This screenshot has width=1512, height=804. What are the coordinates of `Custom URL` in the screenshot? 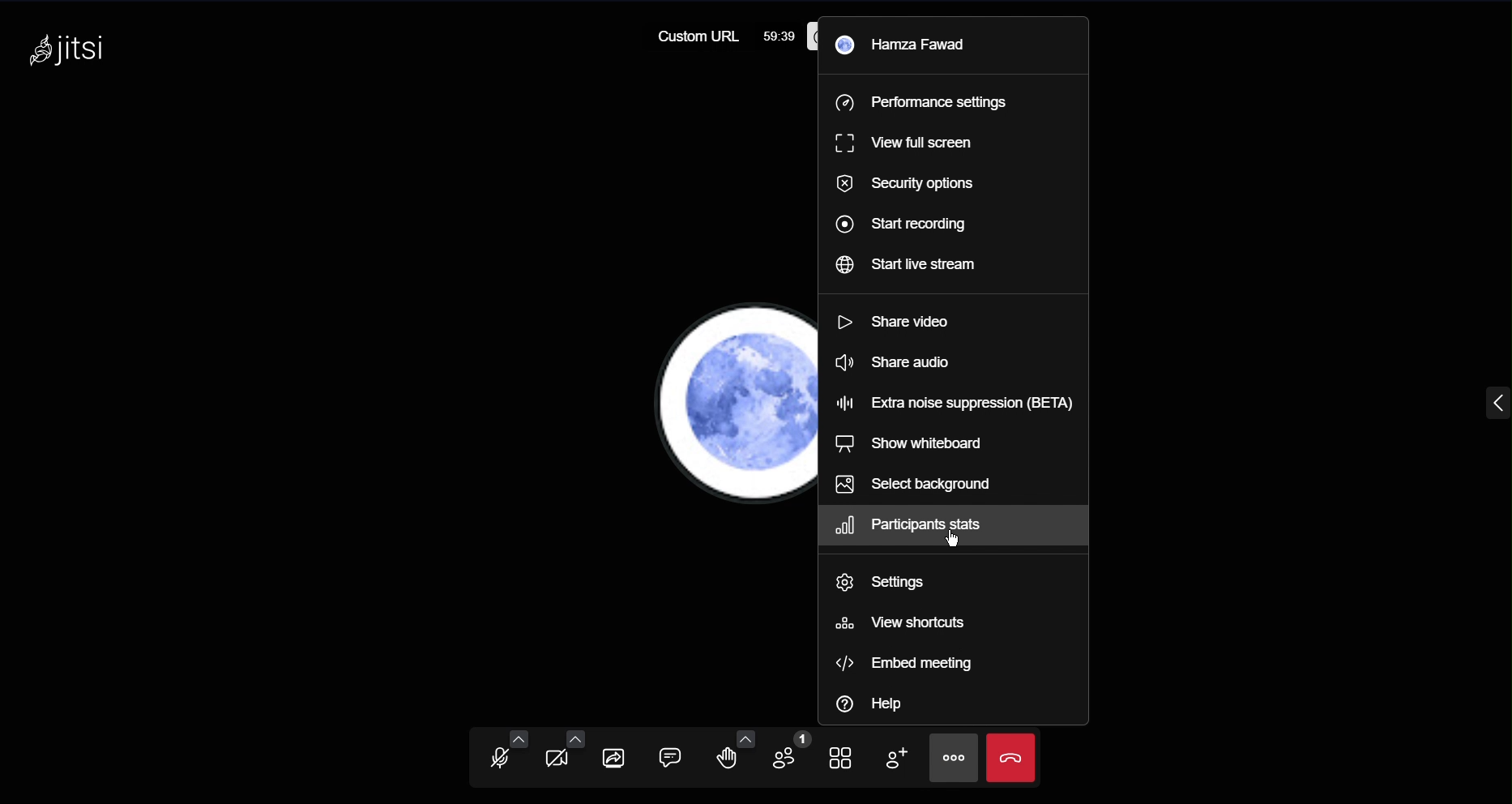 It's located at (697, 36).